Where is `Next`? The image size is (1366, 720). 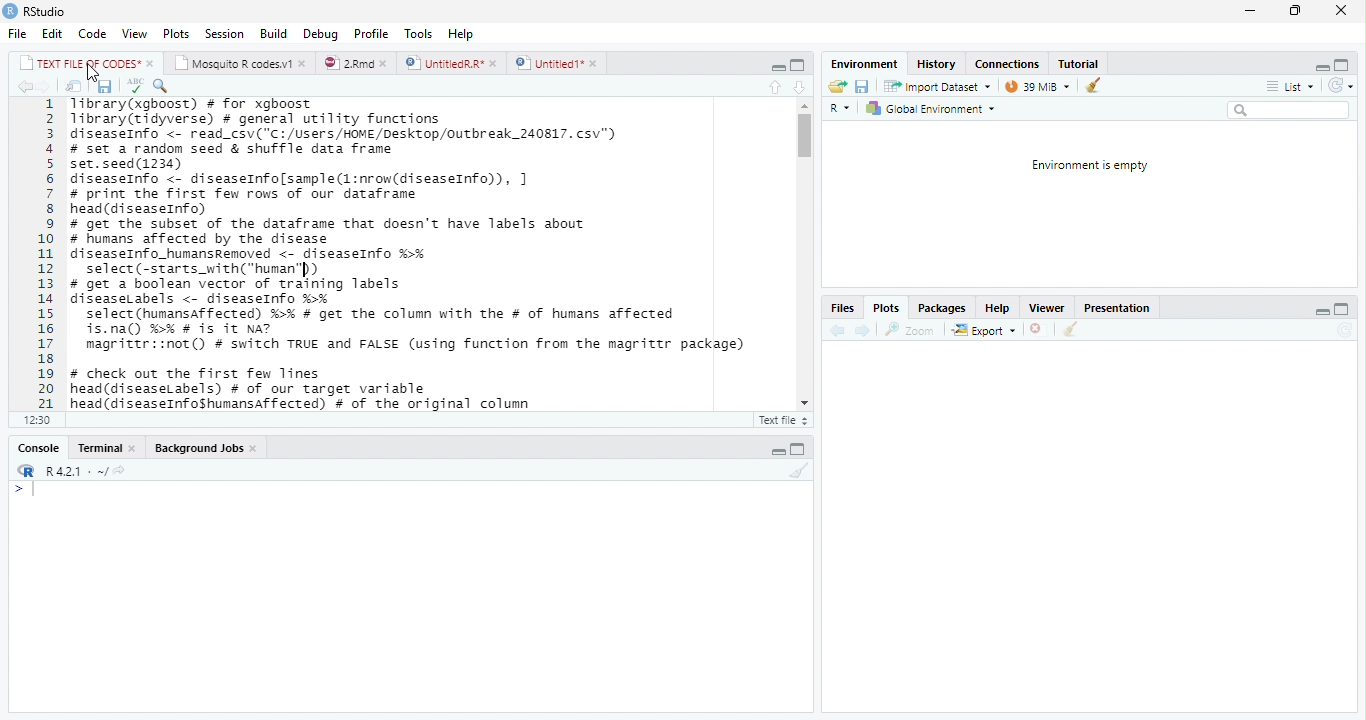
Next is located at coordinates (862, 331).